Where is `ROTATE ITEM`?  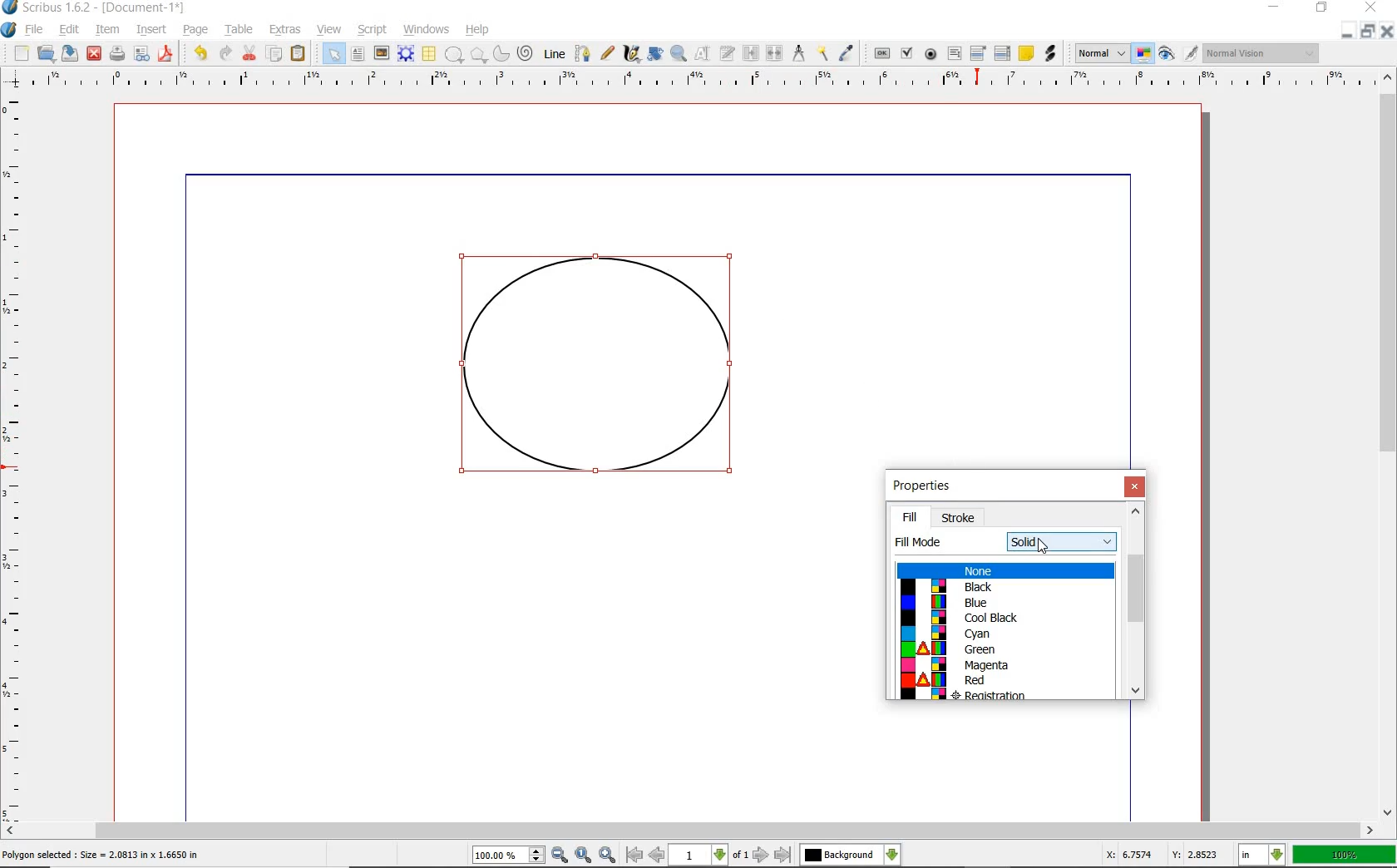 ROTATE ITEM is located at coordinates (654, 52).